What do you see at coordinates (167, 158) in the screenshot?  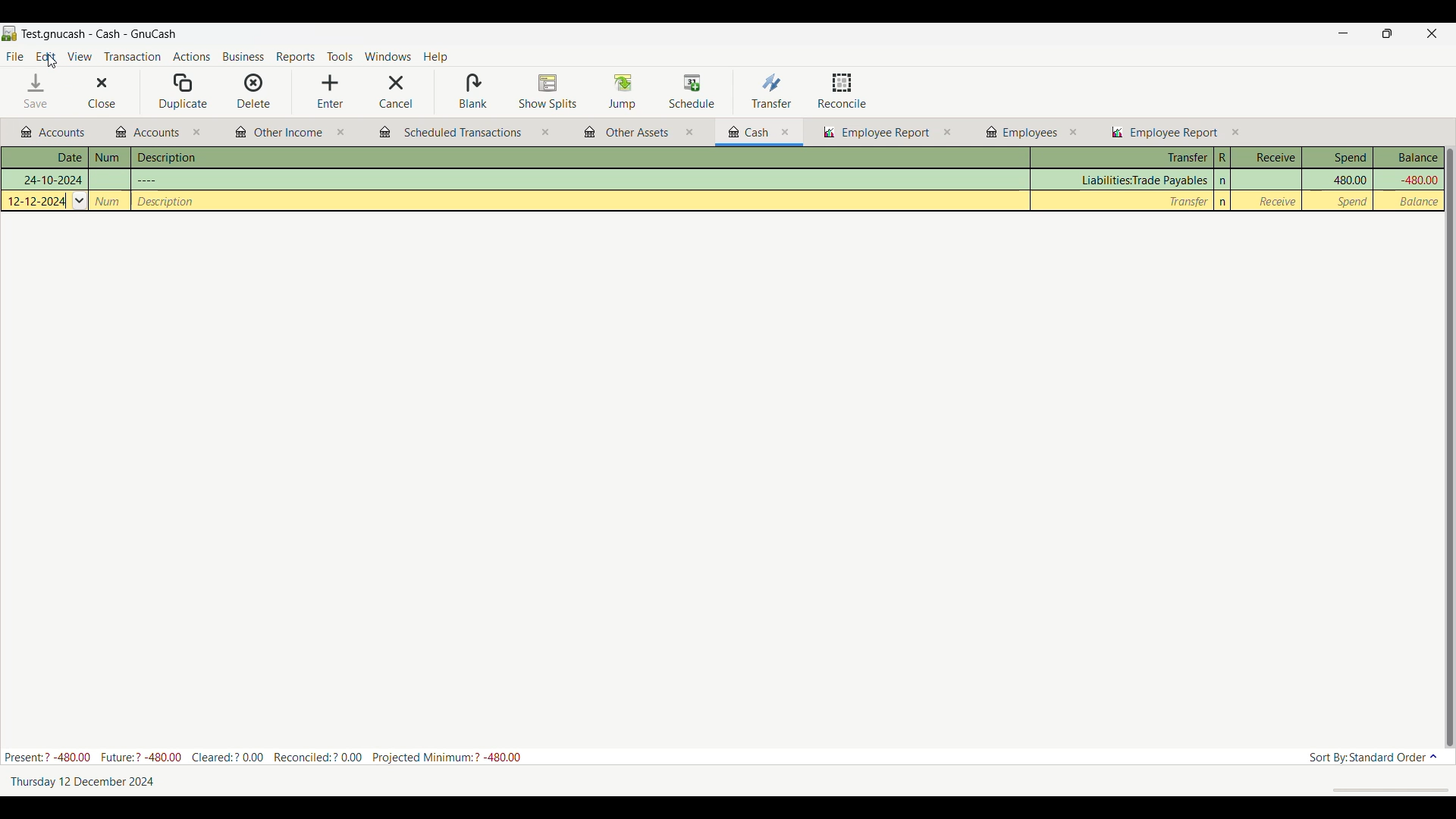 I see `Description column` at bounding box center [167, 158].